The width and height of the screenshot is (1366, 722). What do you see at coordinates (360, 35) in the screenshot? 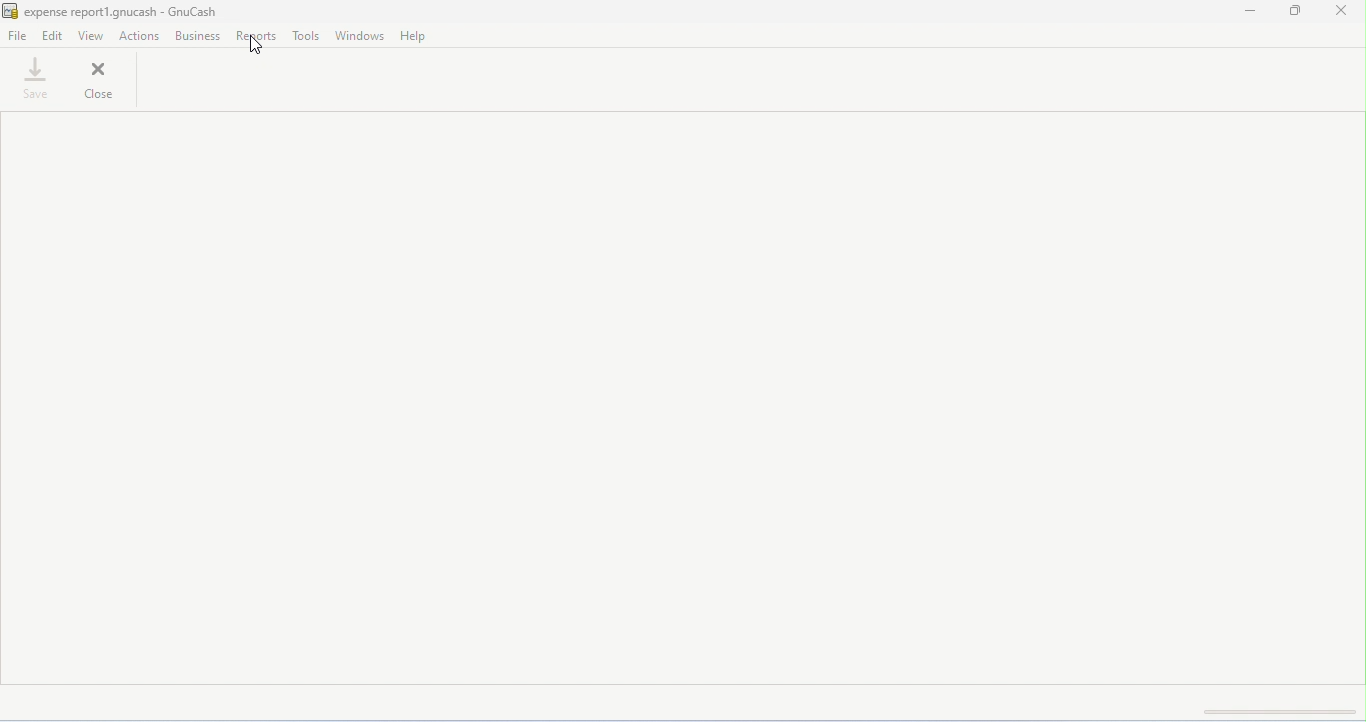
I see `windows` at bounding box center [360, 35].